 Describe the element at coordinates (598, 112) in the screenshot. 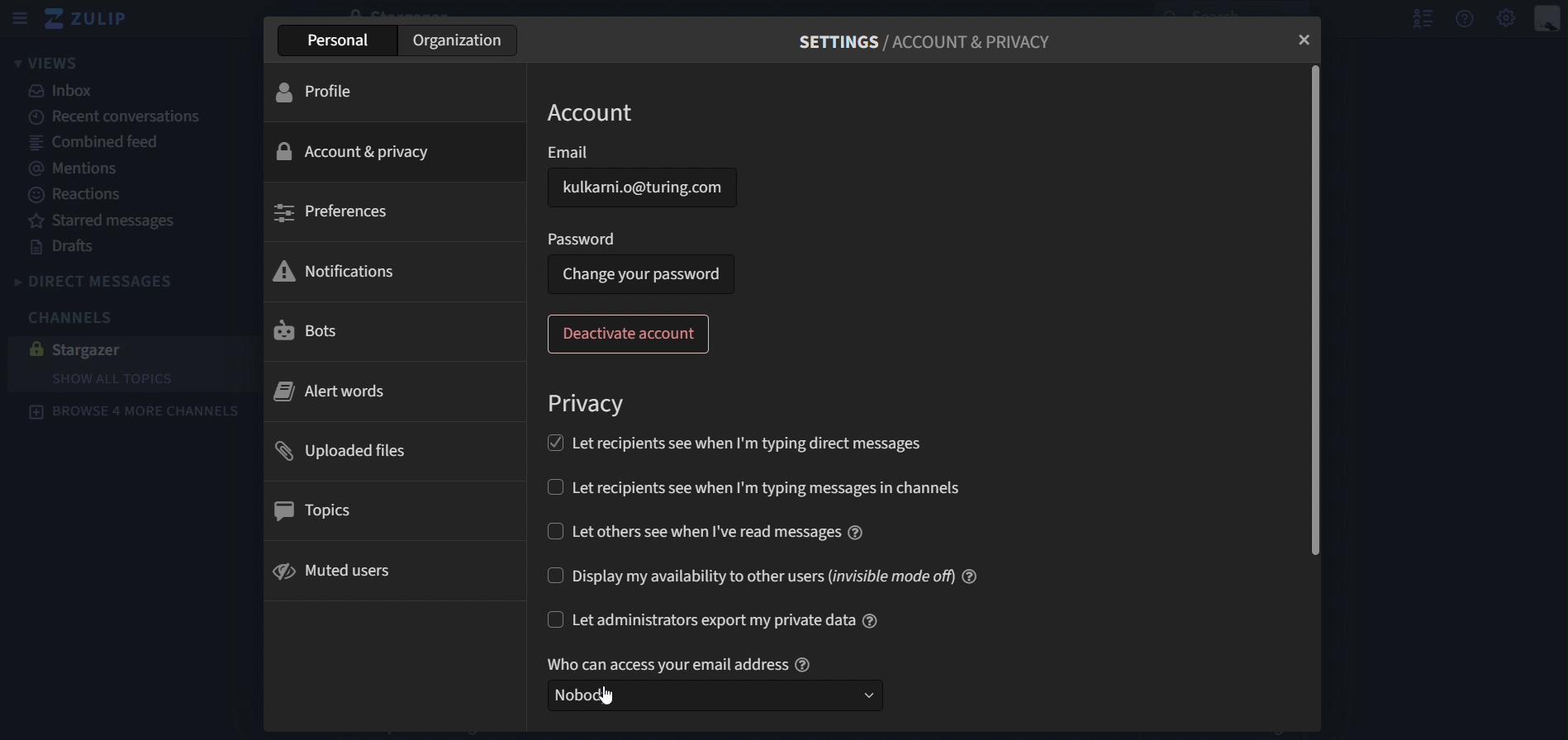

I see `account` at that location.